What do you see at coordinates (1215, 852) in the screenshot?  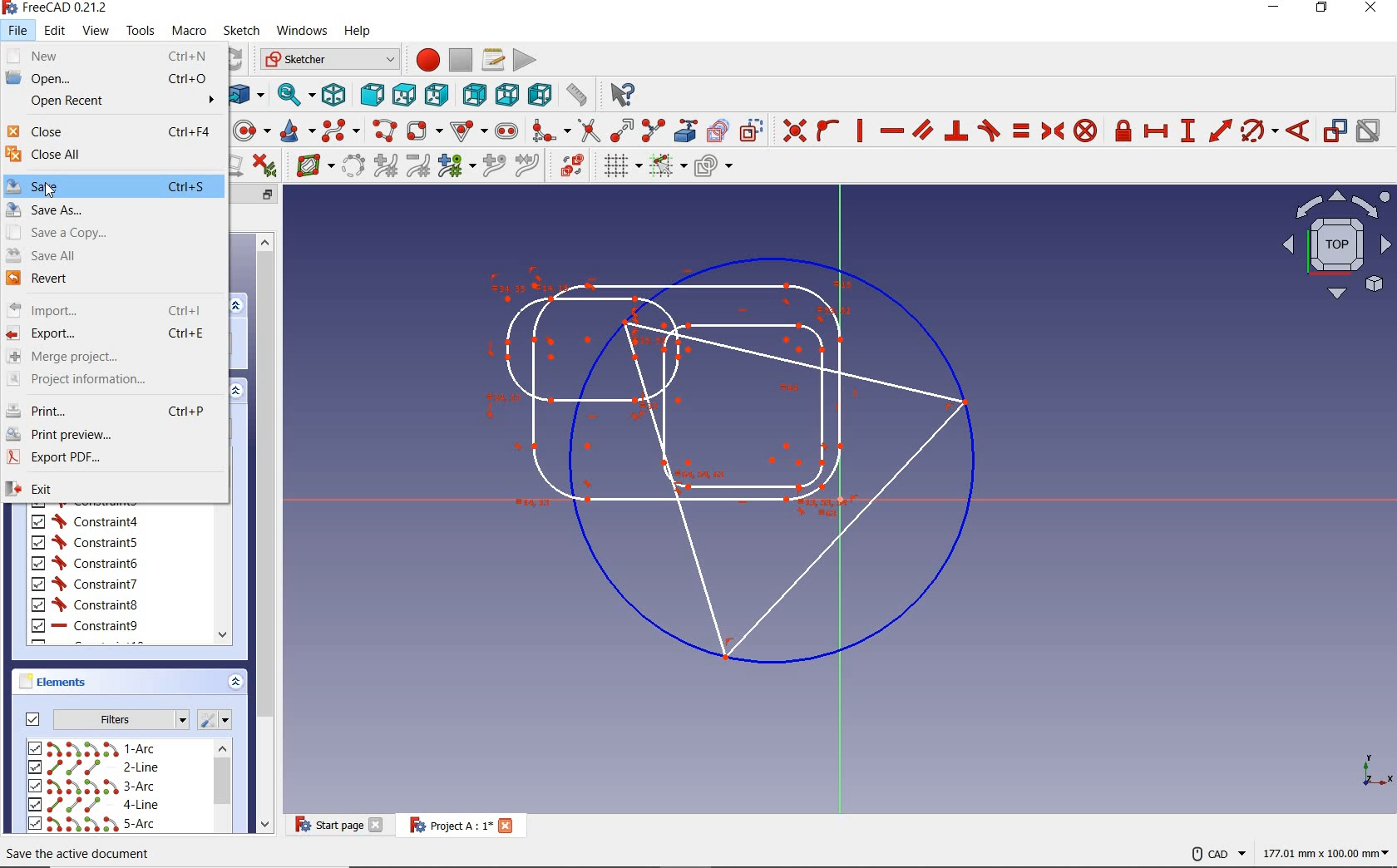 I see `CAD Navigation style` at bounding box center [1215, 852].